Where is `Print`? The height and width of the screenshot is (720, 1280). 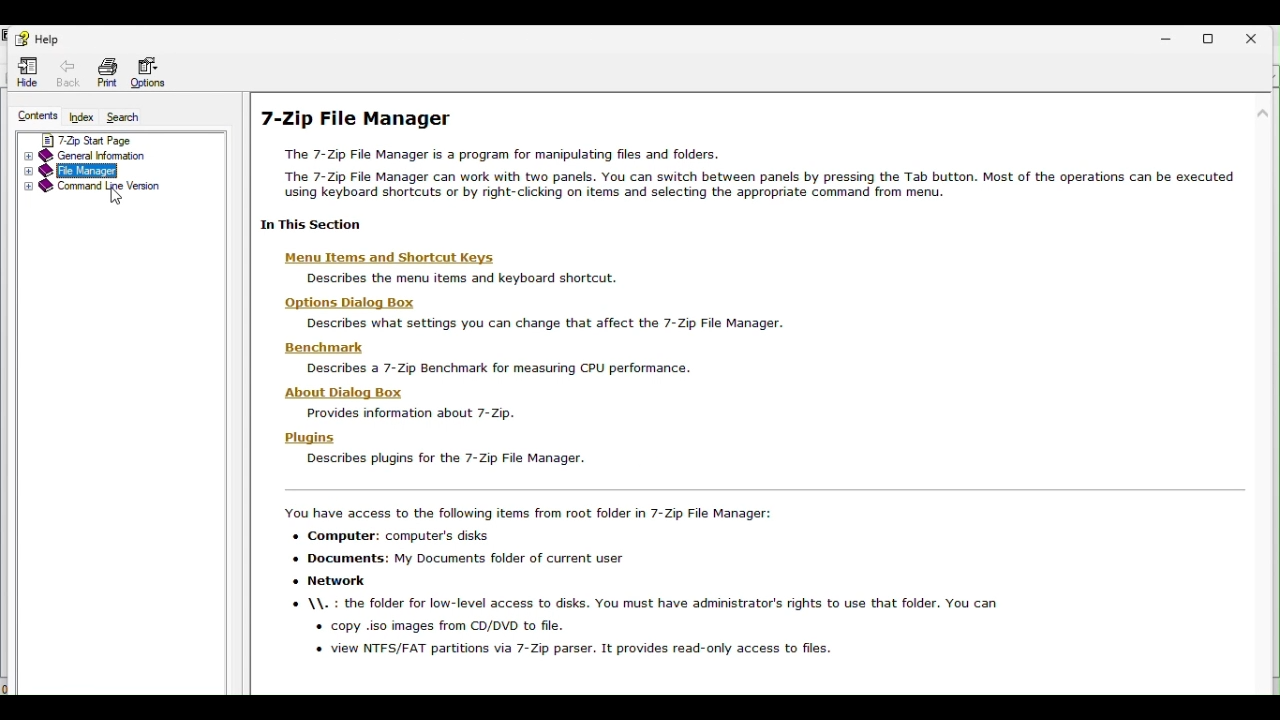
Print is located at coordinates (108, 72).